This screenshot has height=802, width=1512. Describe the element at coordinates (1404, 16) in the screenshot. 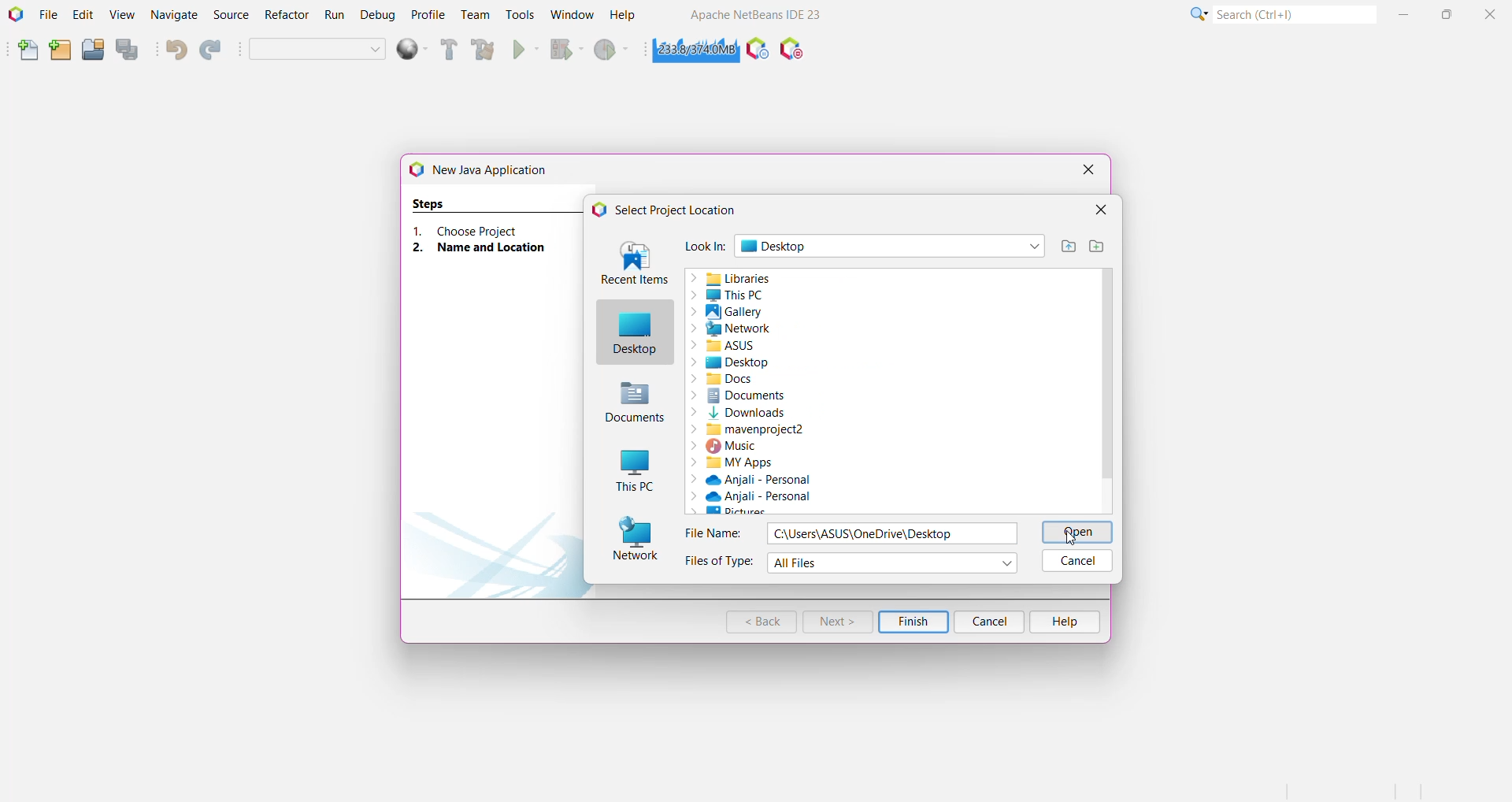

I see `Minimize` at that location.